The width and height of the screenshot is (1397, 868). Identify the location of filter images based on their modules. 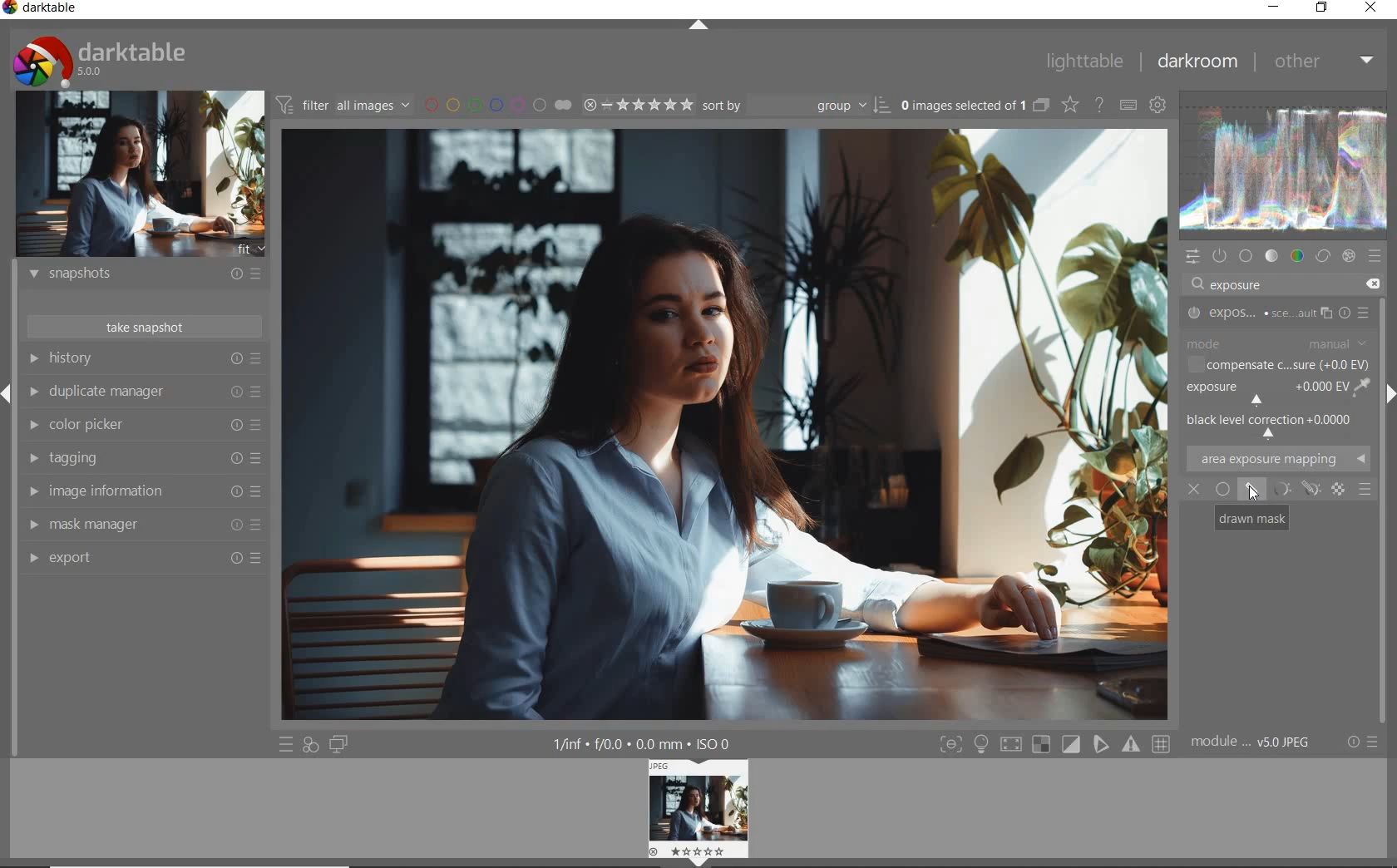
(343, 103).